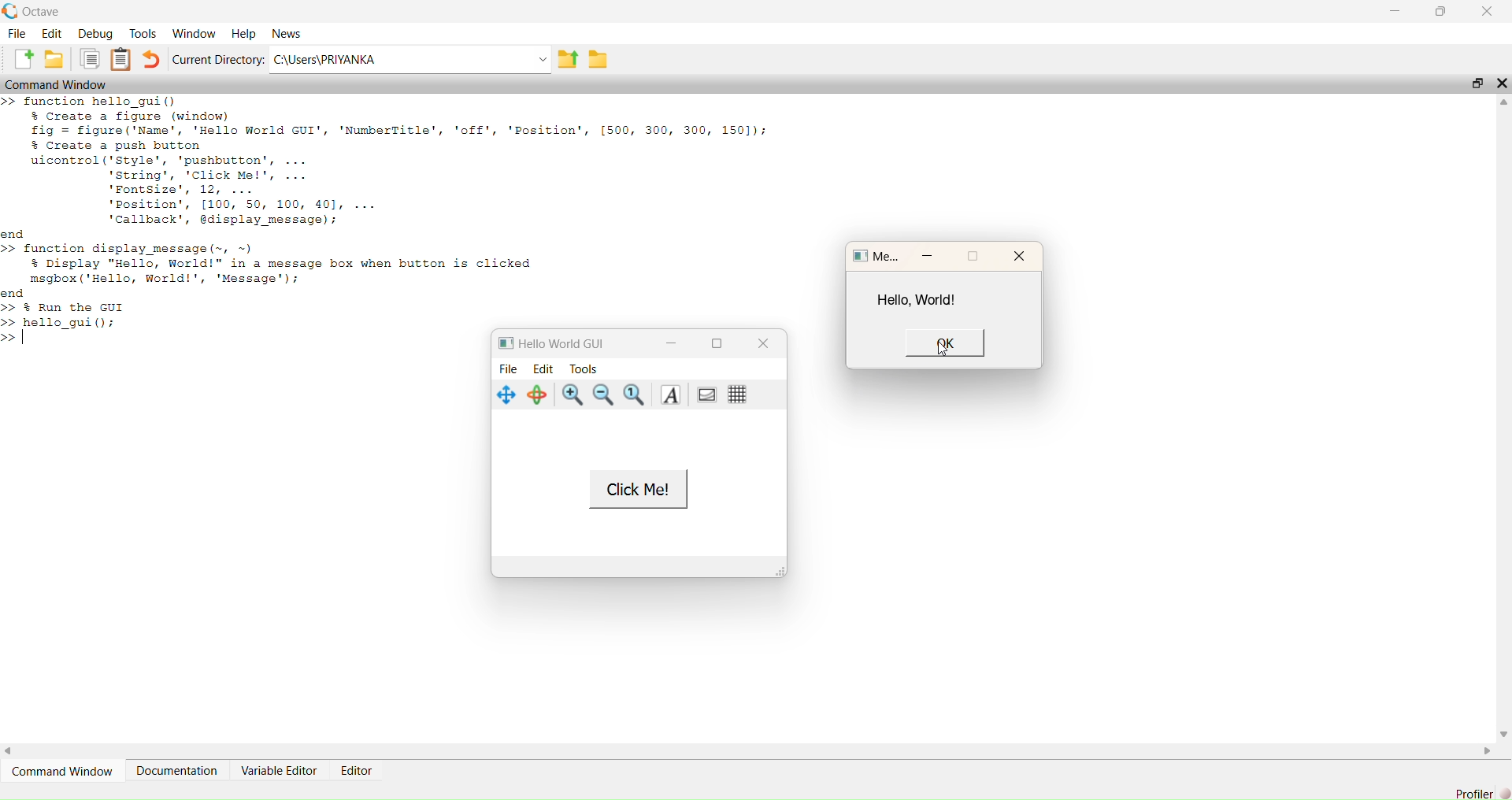 The width and height of the screenshot is (1512, 800). I want to click on Octave, so click(35, 9).